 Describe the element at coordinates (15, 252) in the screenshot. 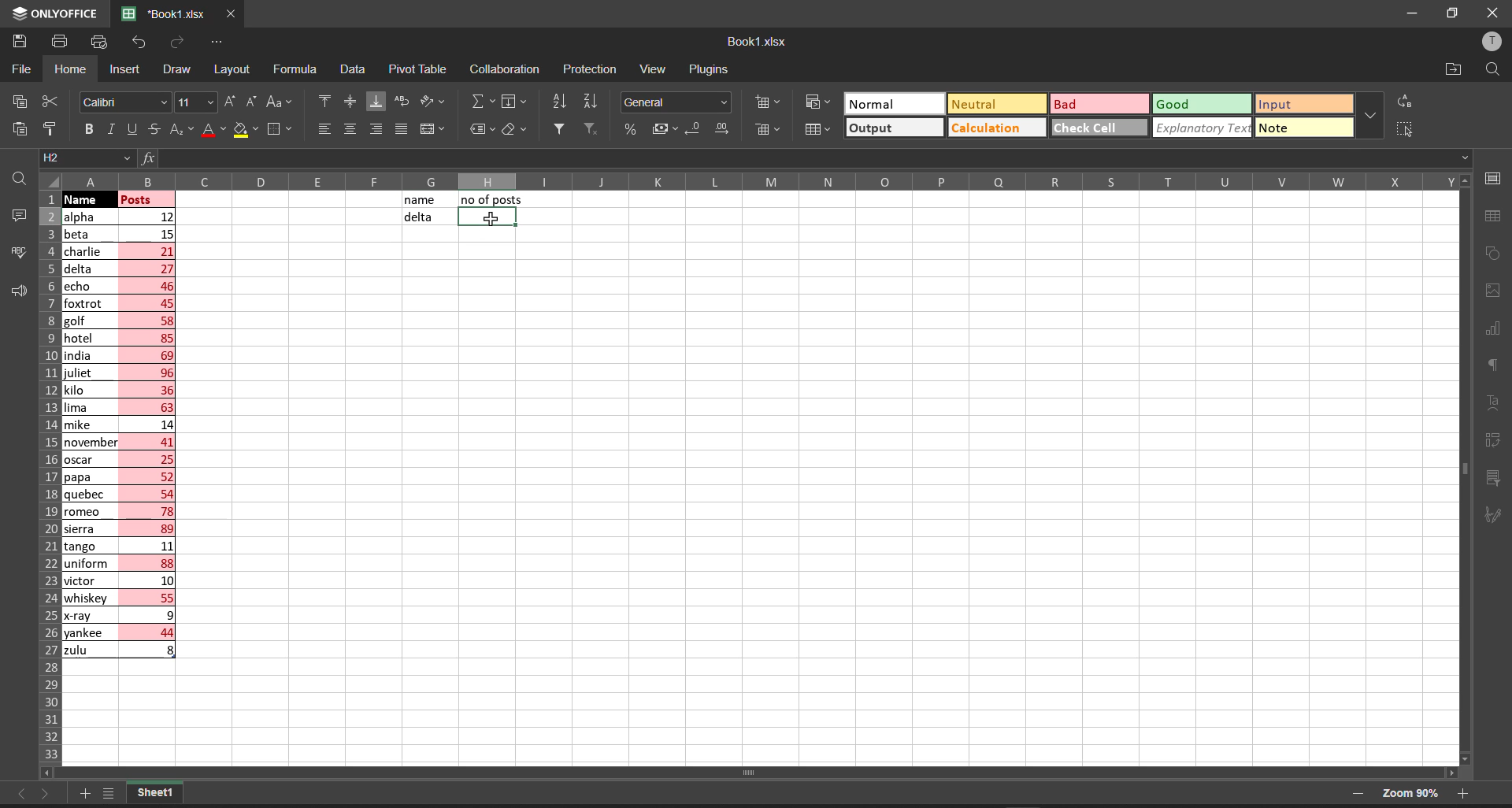

I see `spell checking` at that location.